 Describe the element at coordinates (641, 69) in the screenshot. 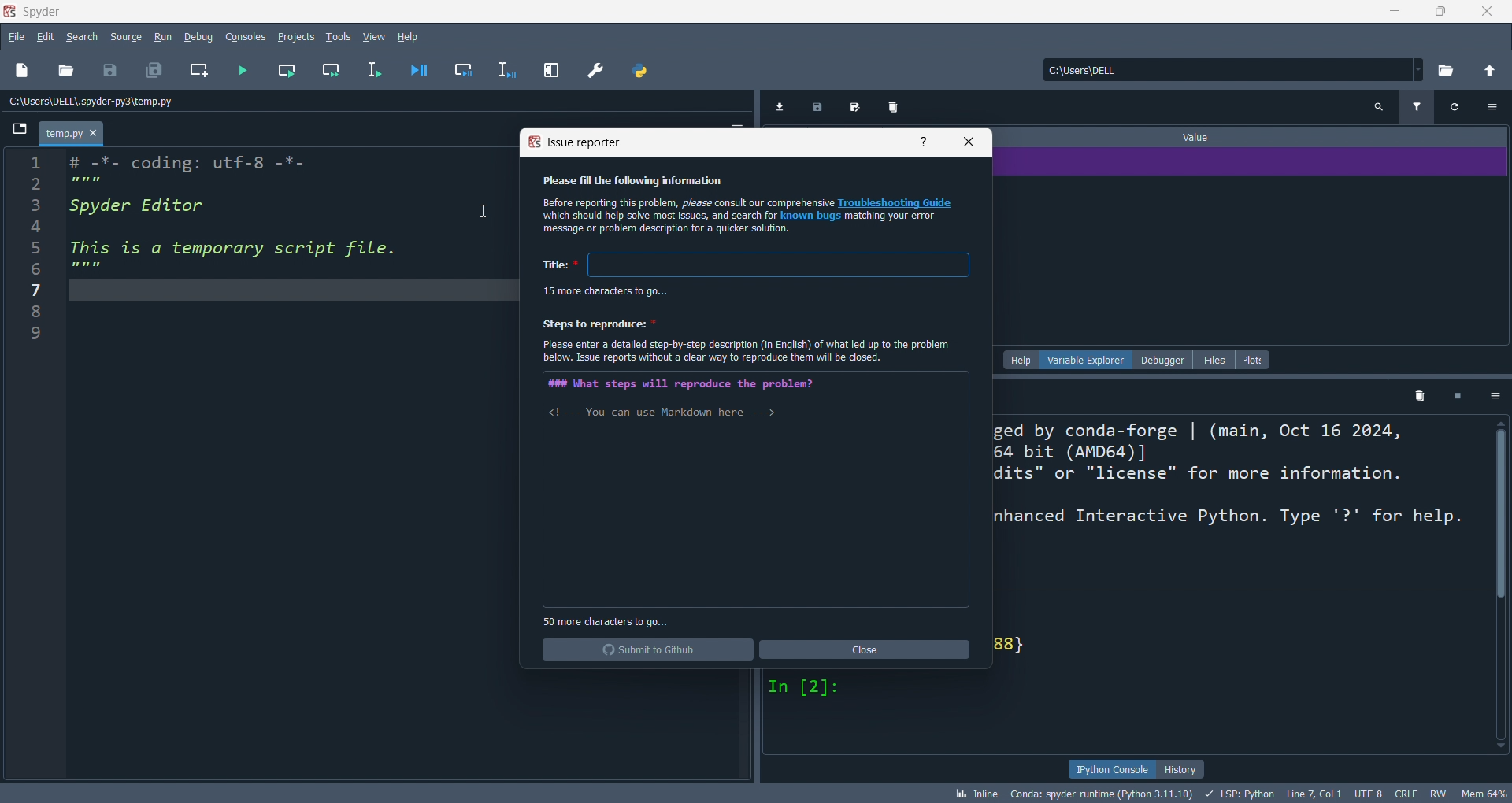

I see `python path manager` at that location.